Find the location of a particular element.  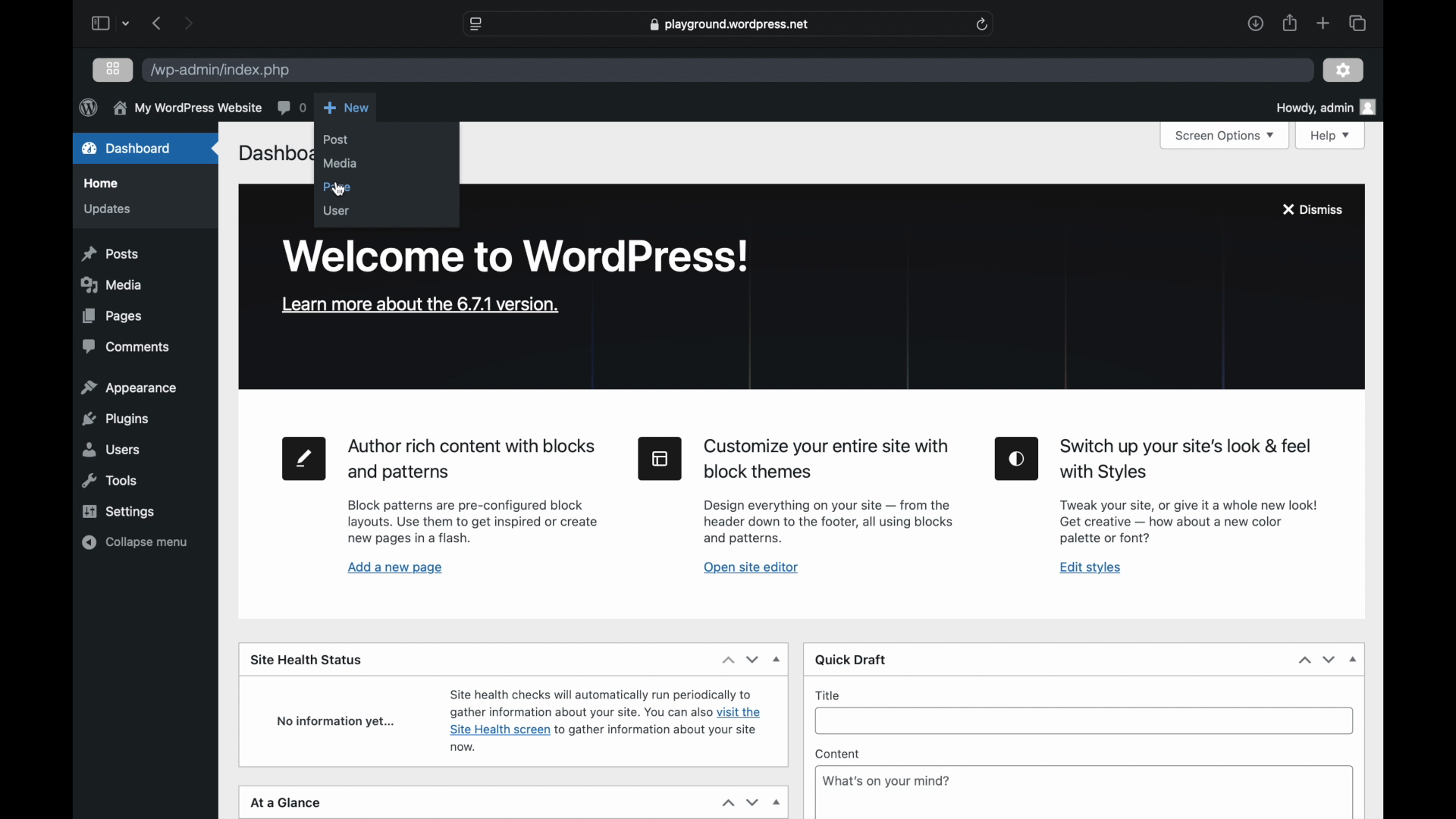

stepper buttons is located at coordinates (741, 659).